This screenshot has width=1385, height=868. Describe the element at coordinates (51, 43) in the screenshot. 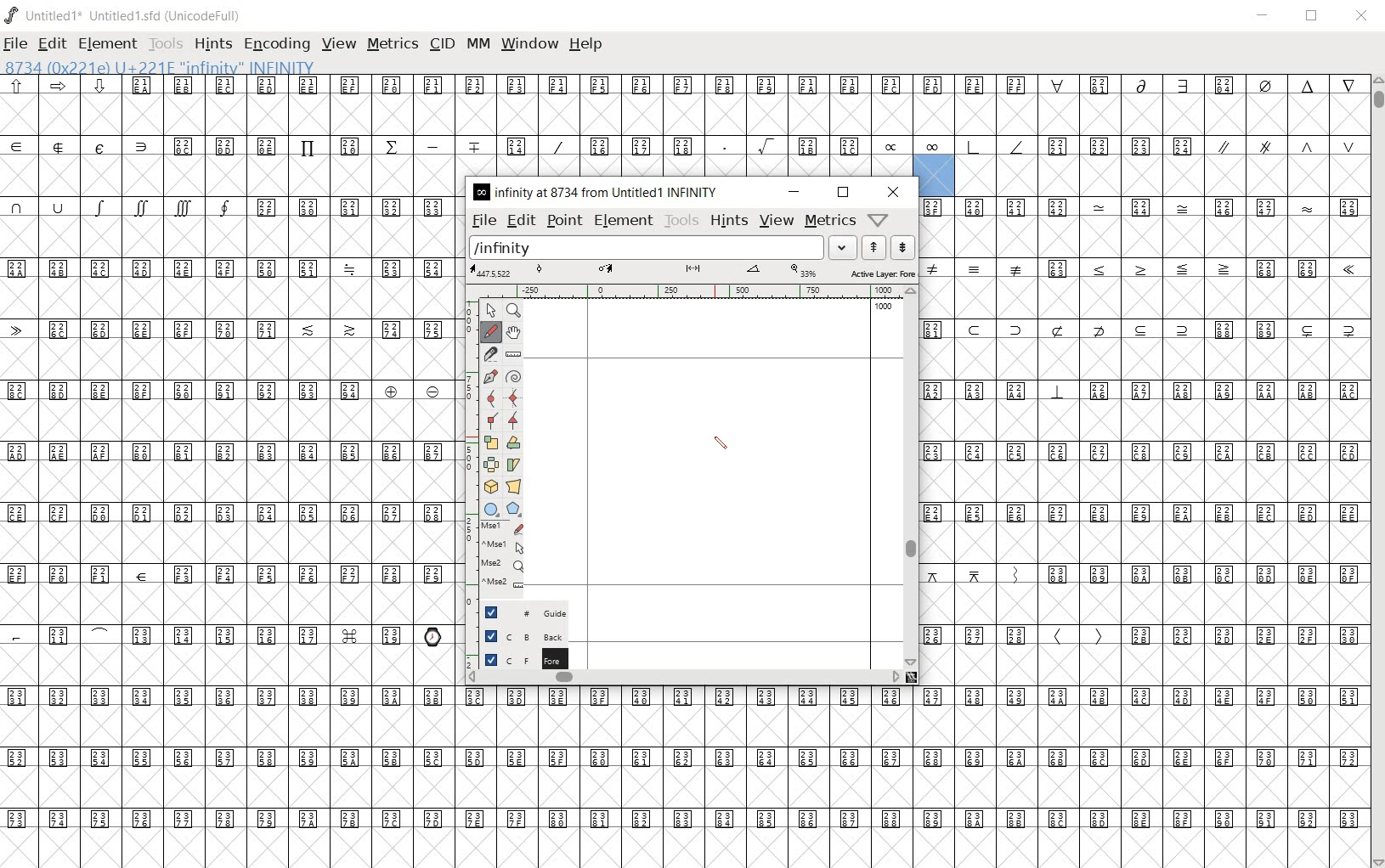

I see `edit` at that location.